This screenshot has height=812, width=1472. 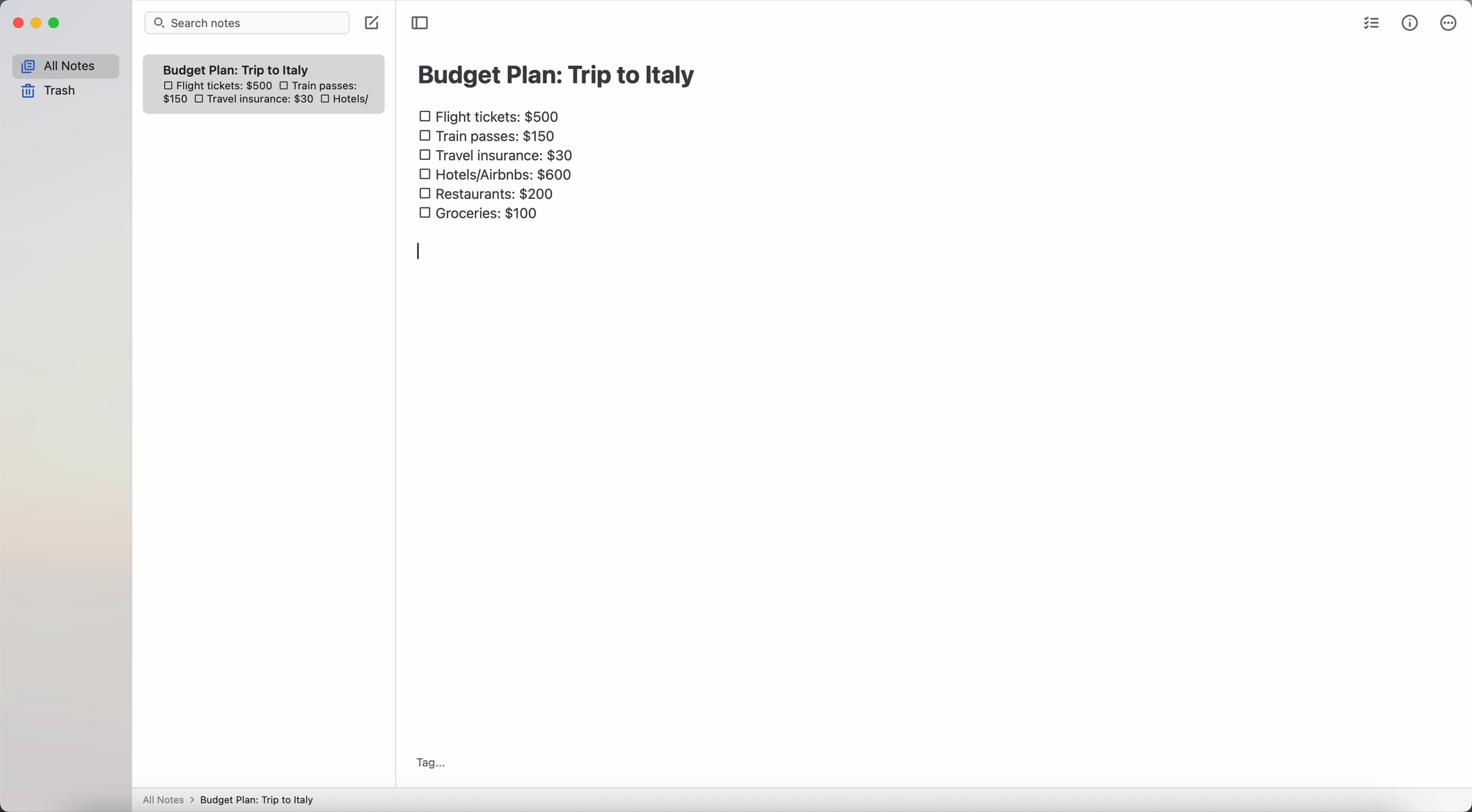 What do you see at coordinates (489, 139) in the screenshot?
I see `train passes $150 checkbox` at bounding box center [489, 139].